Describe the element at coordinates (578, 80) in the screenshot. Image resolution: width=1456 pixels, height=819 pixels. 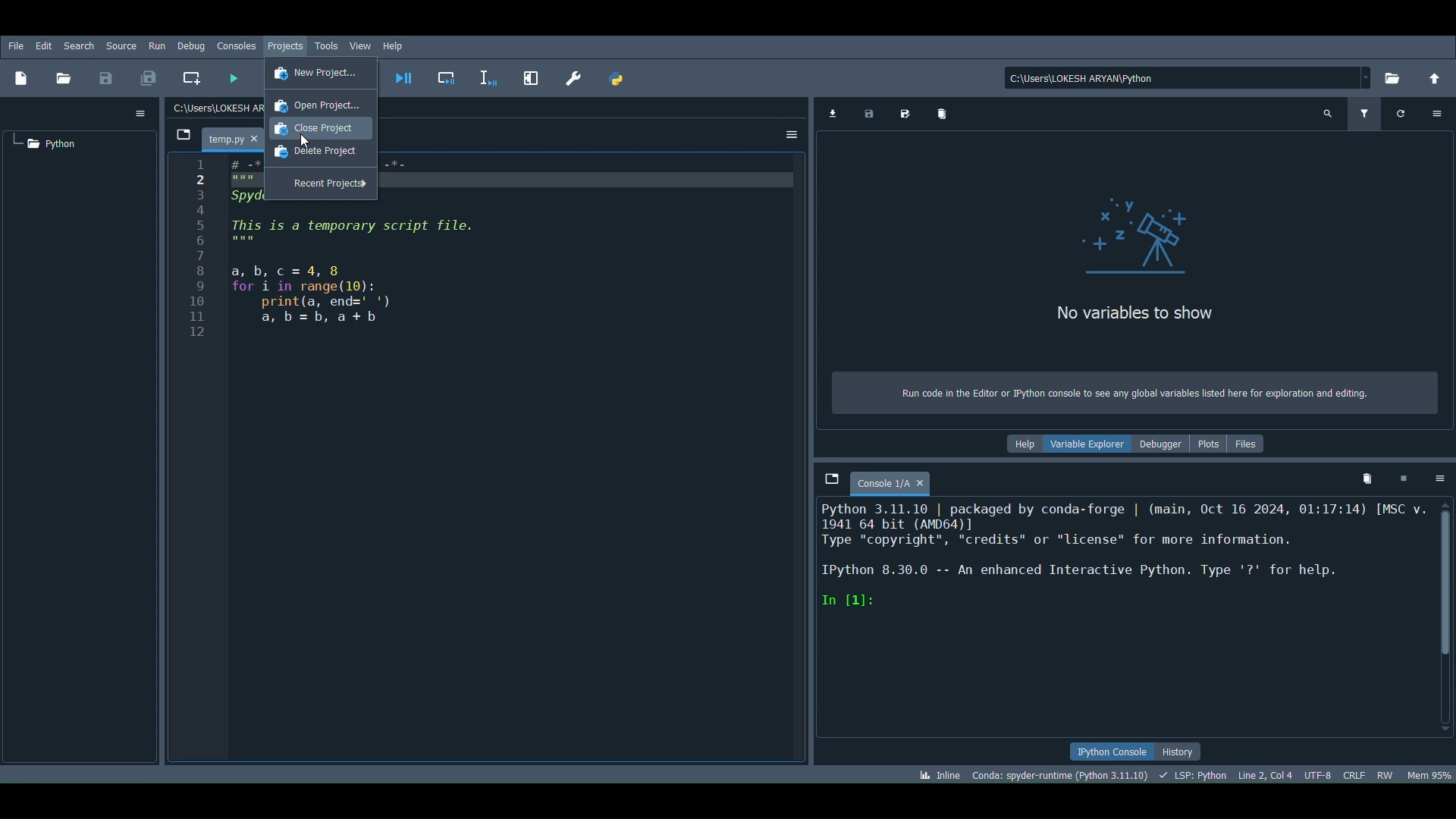
I see `Preferences` at that location.